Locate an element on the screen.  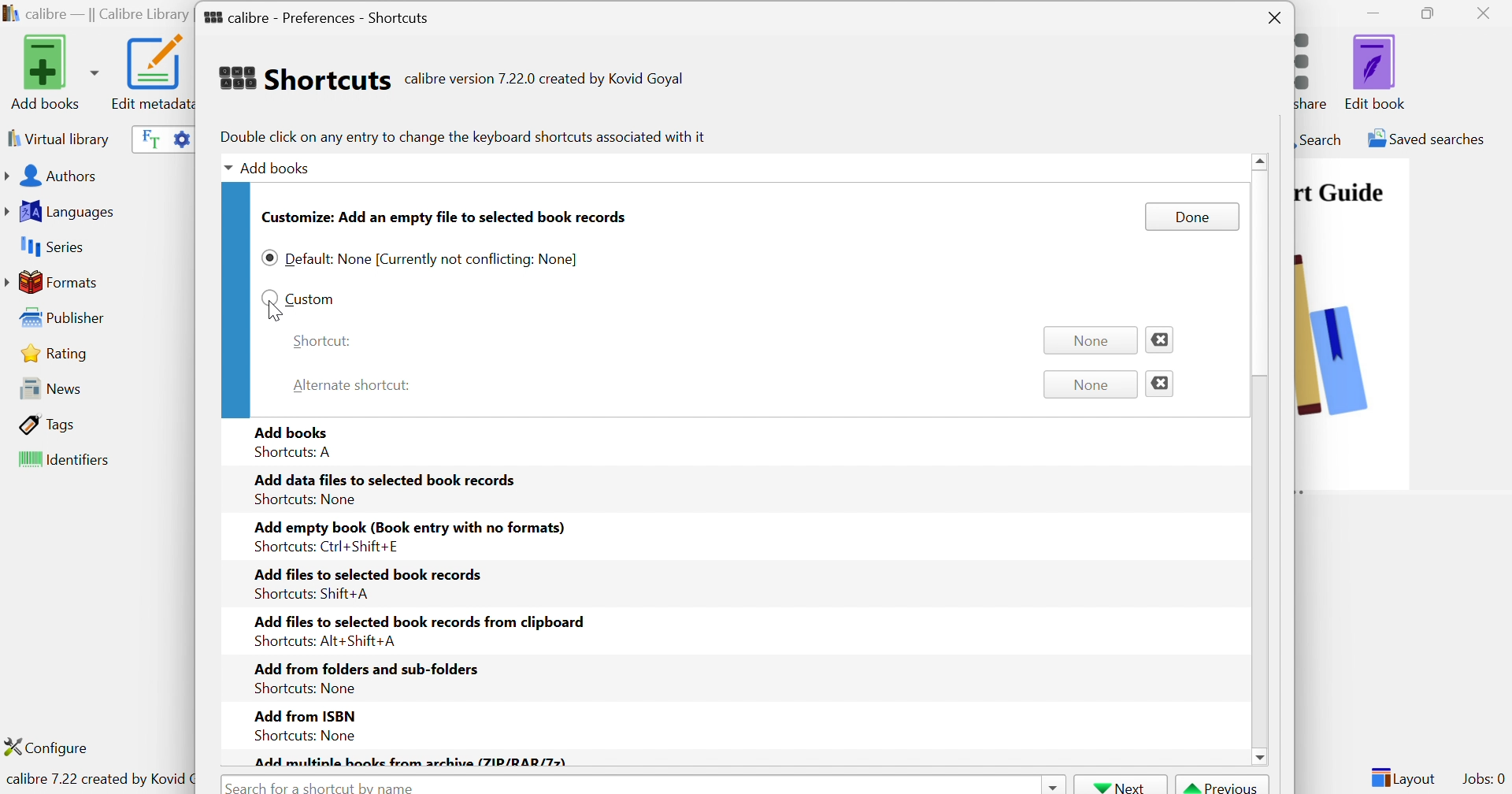
Shortcuts: A is located at coordinates (295, 453).